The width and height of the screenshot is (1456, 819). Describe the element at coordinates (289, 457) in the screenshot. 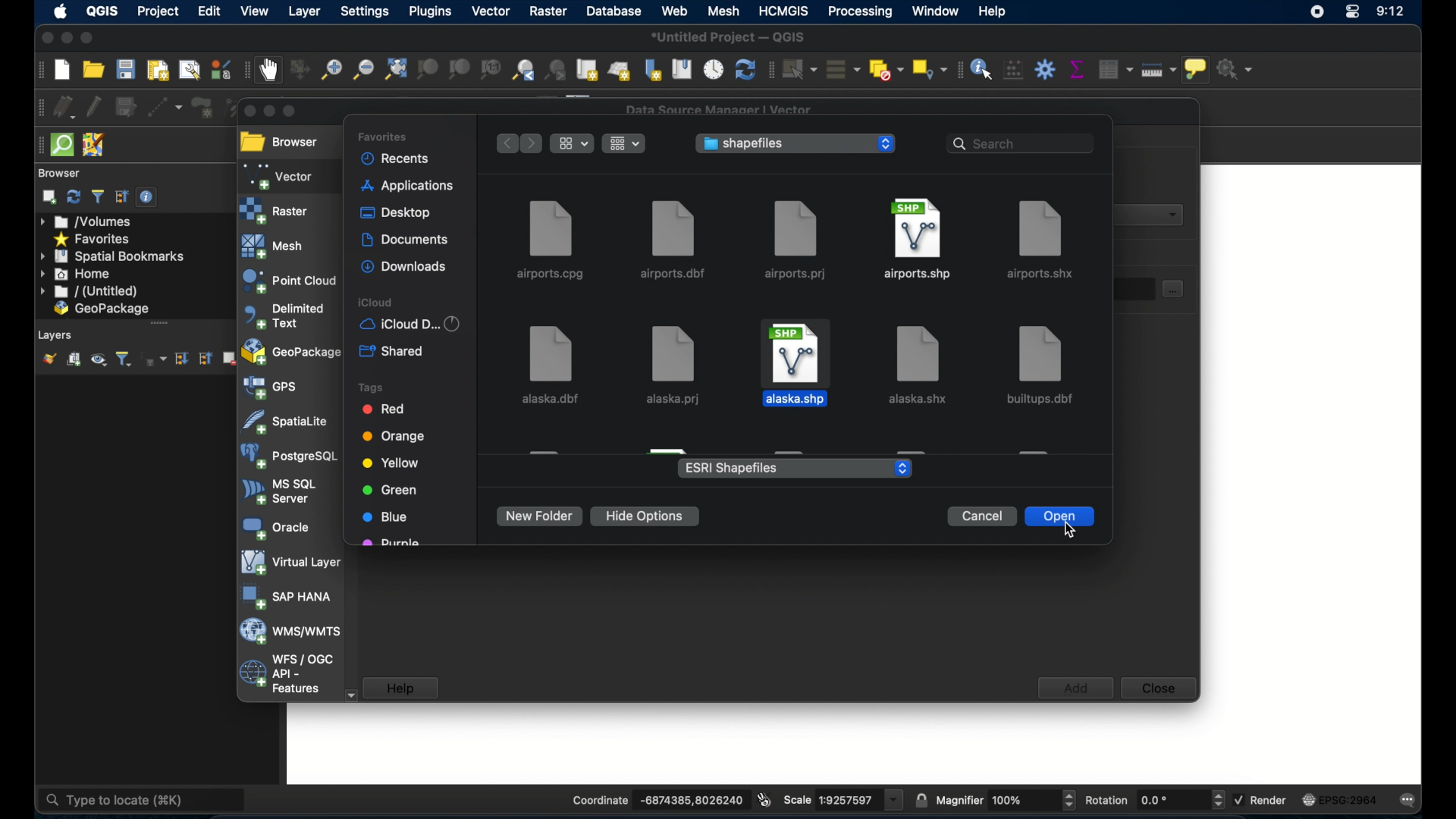

I see `postgresql` at that location.